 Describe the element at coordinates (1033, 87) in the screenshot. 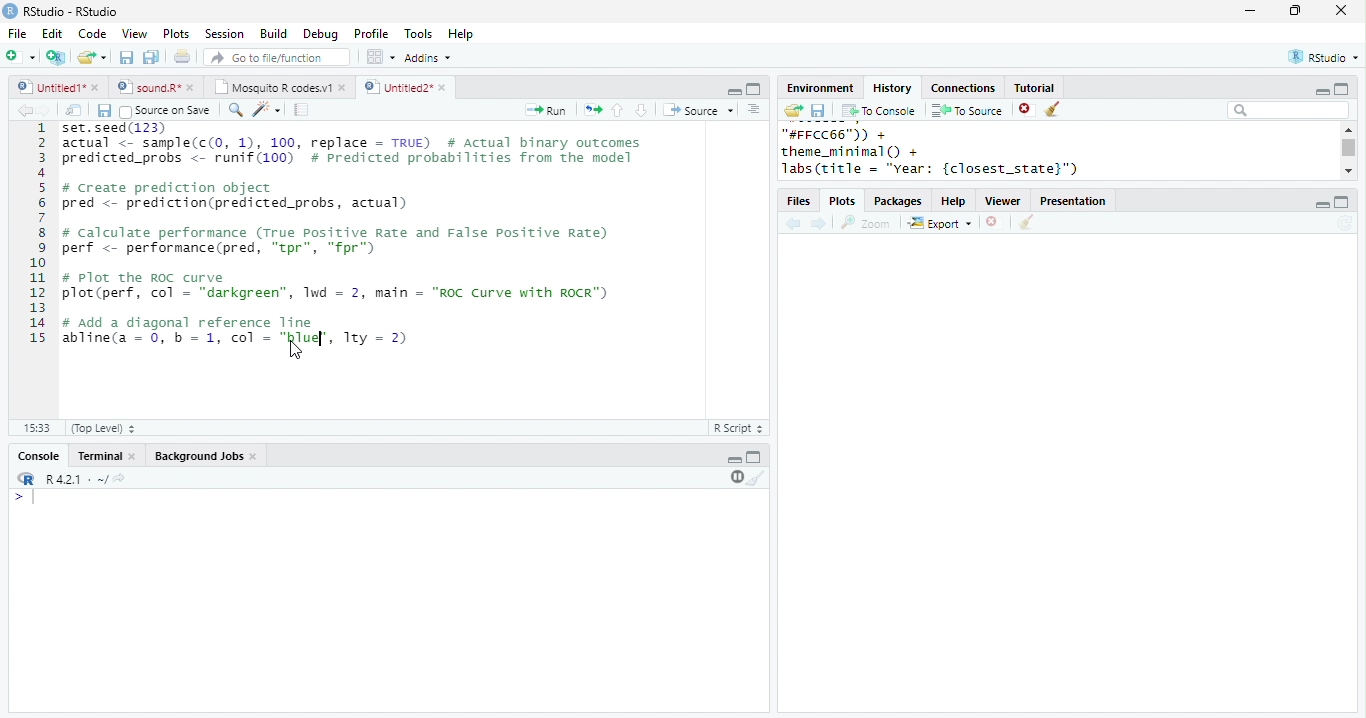

I see `Tutorial` at that location.